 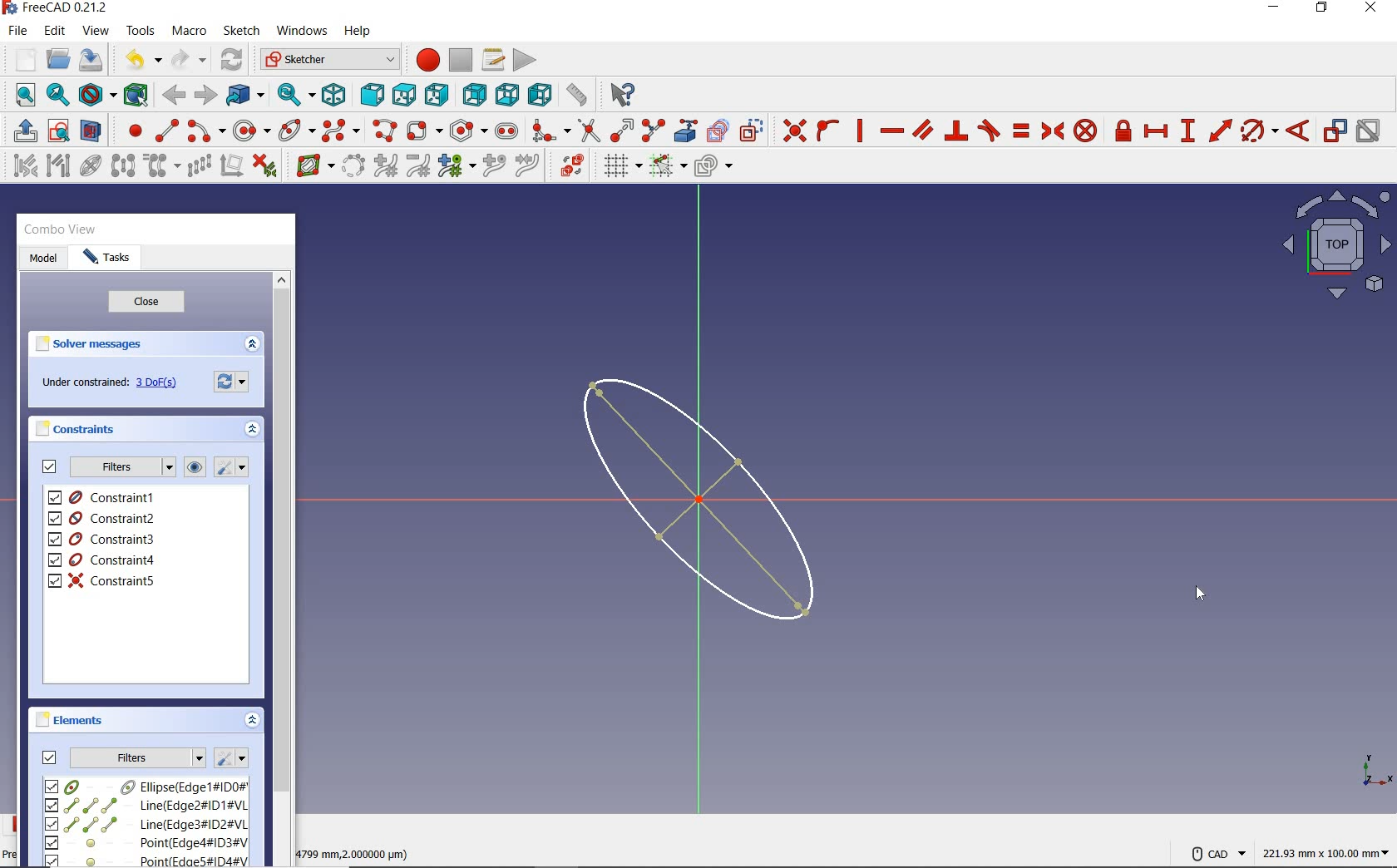 I want to click on fit all, so click(x=21, y=96).